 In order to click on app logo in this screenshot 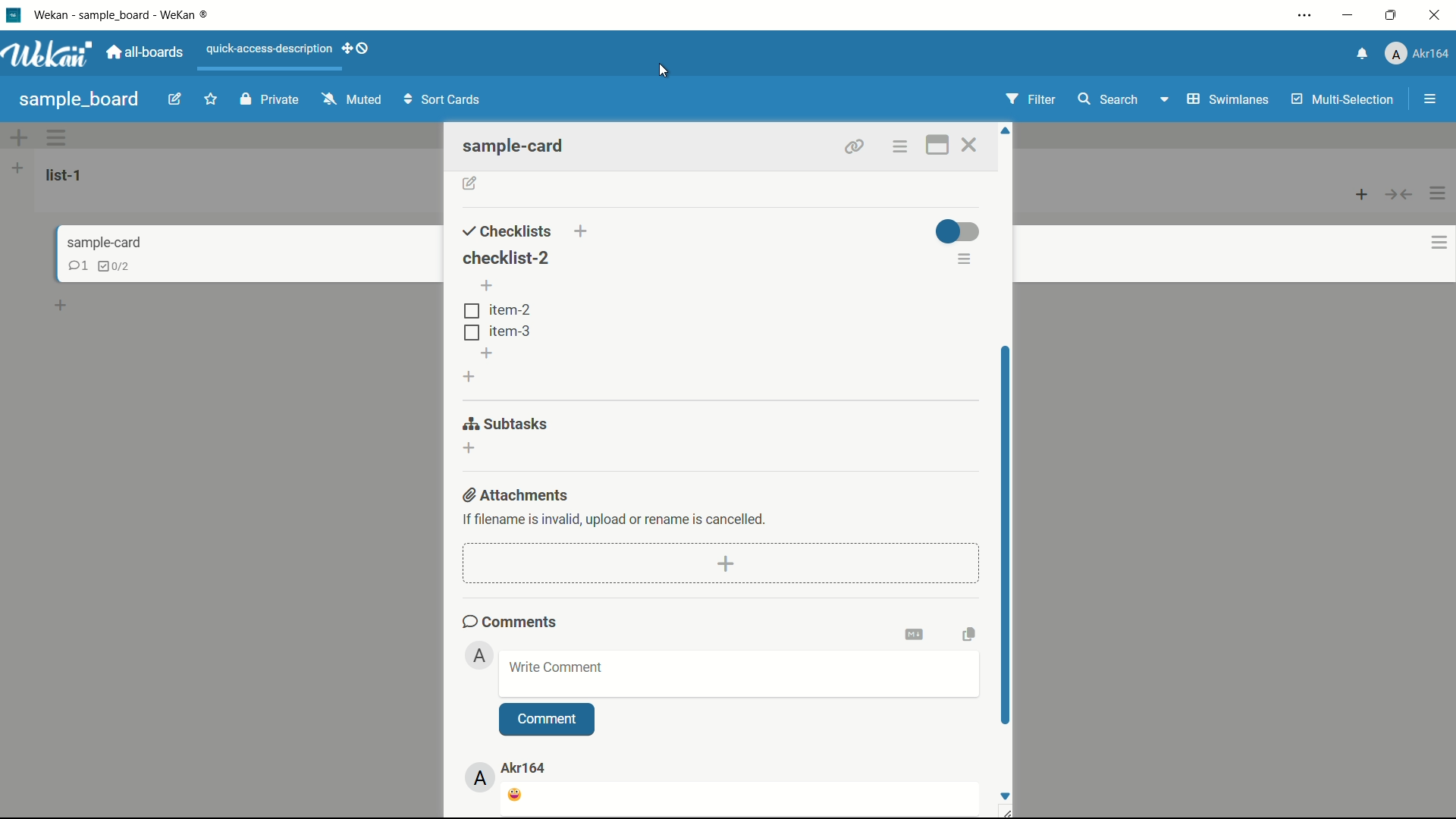, I will do `click(52, 55)`.